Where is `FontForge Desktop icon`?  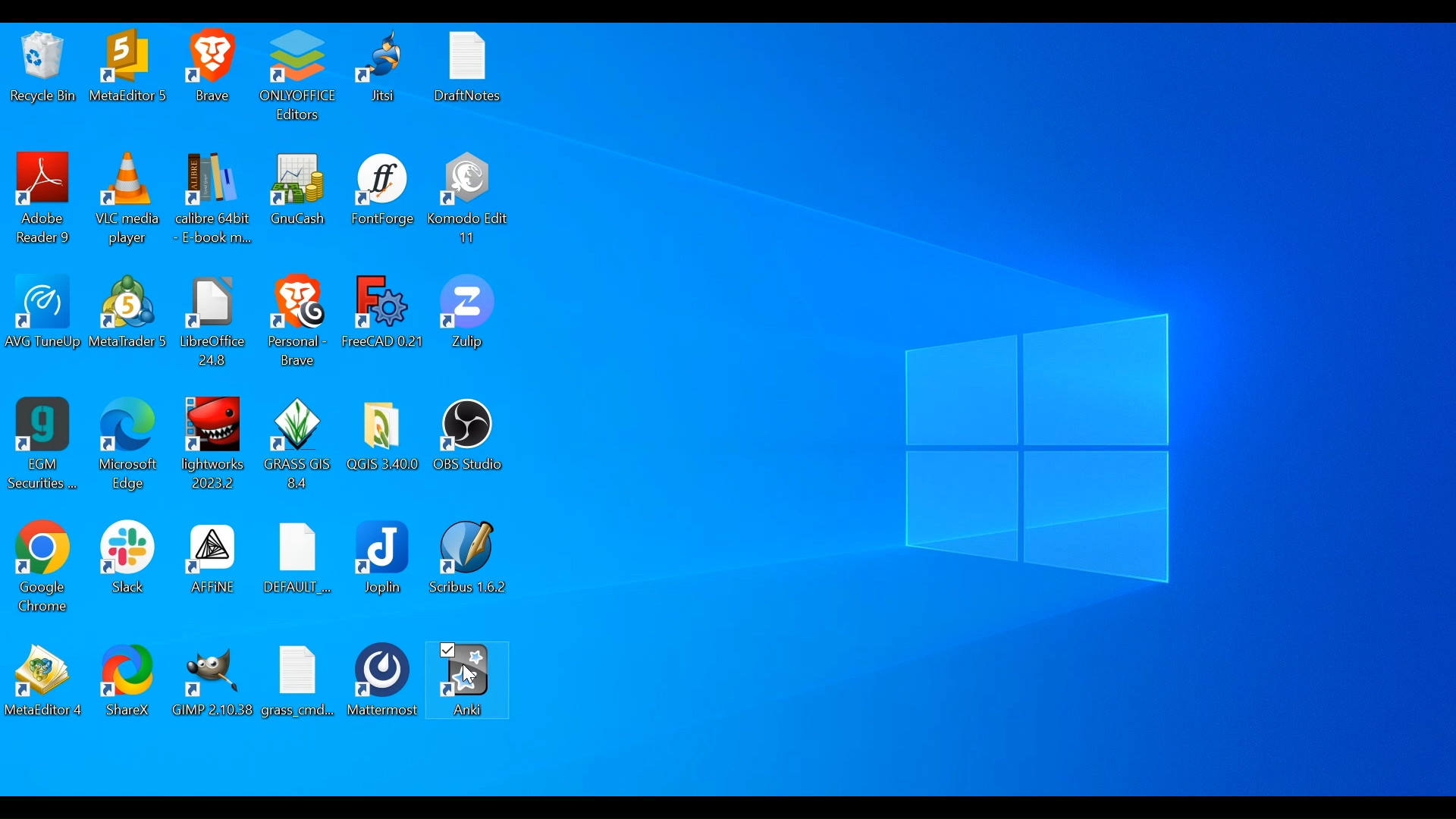
FontForge Desktop icon is located at coordinates (383, 193).